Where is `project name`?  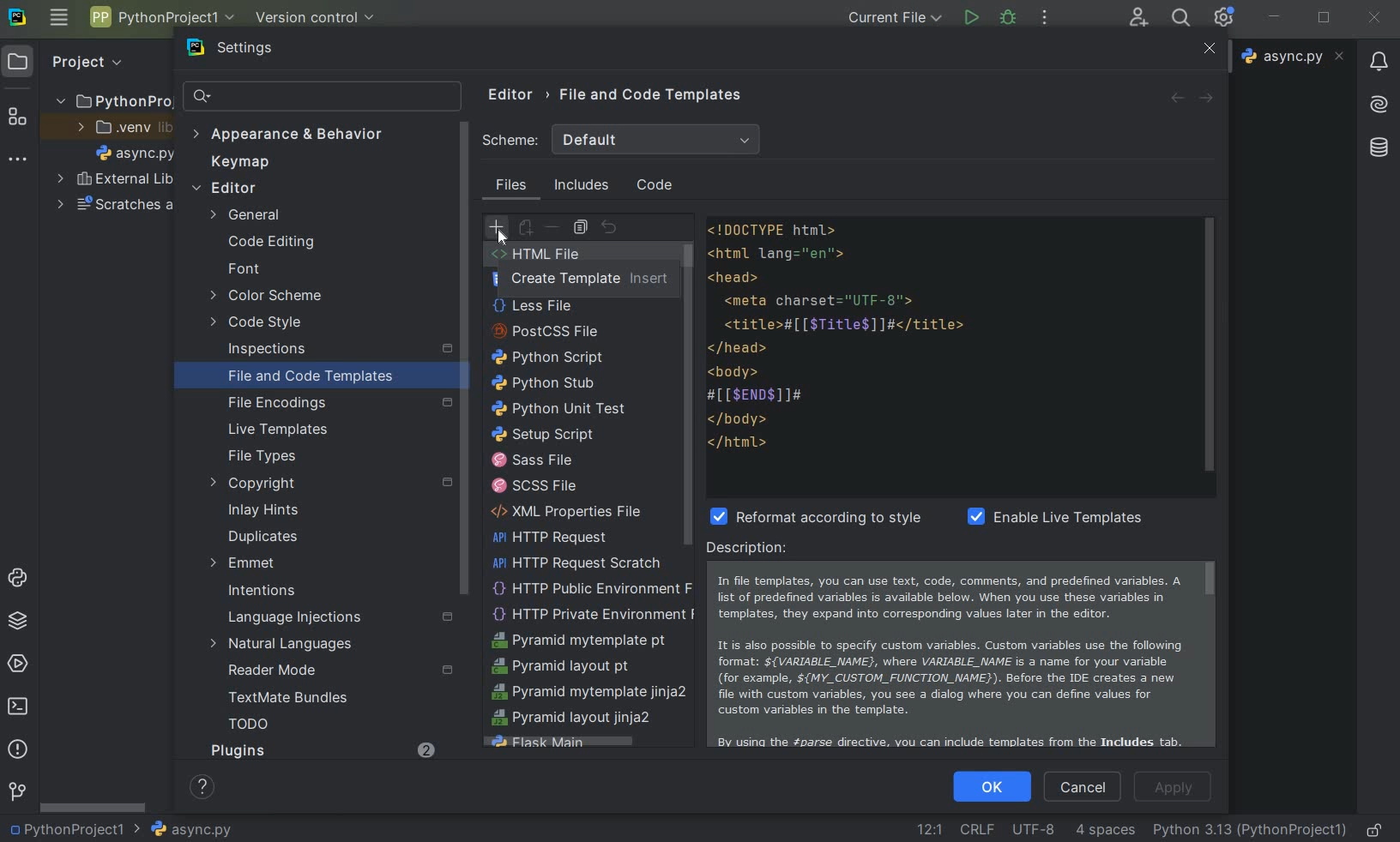
project name is located at coordinates (74, 831).